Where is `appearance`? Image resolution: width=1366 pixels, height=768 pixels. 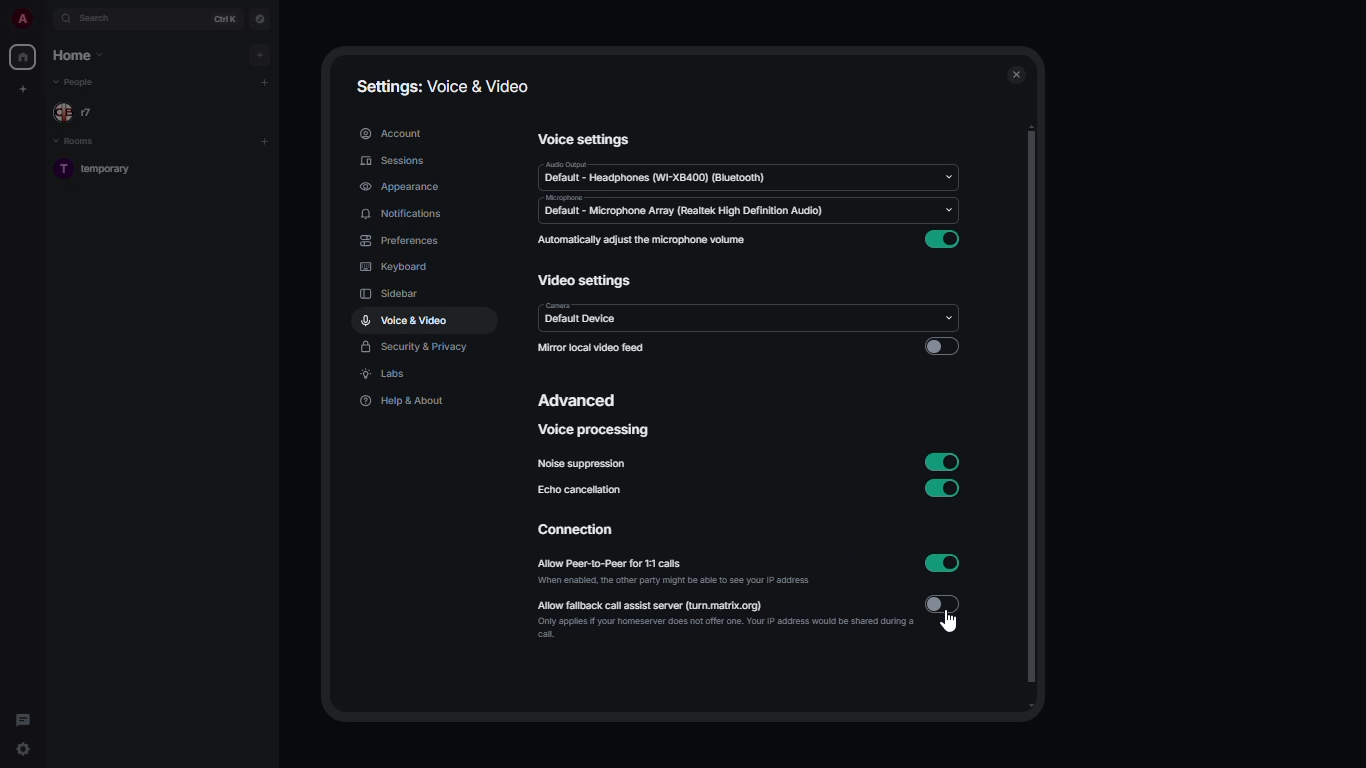
appearance is located at coordinates (399, 188).